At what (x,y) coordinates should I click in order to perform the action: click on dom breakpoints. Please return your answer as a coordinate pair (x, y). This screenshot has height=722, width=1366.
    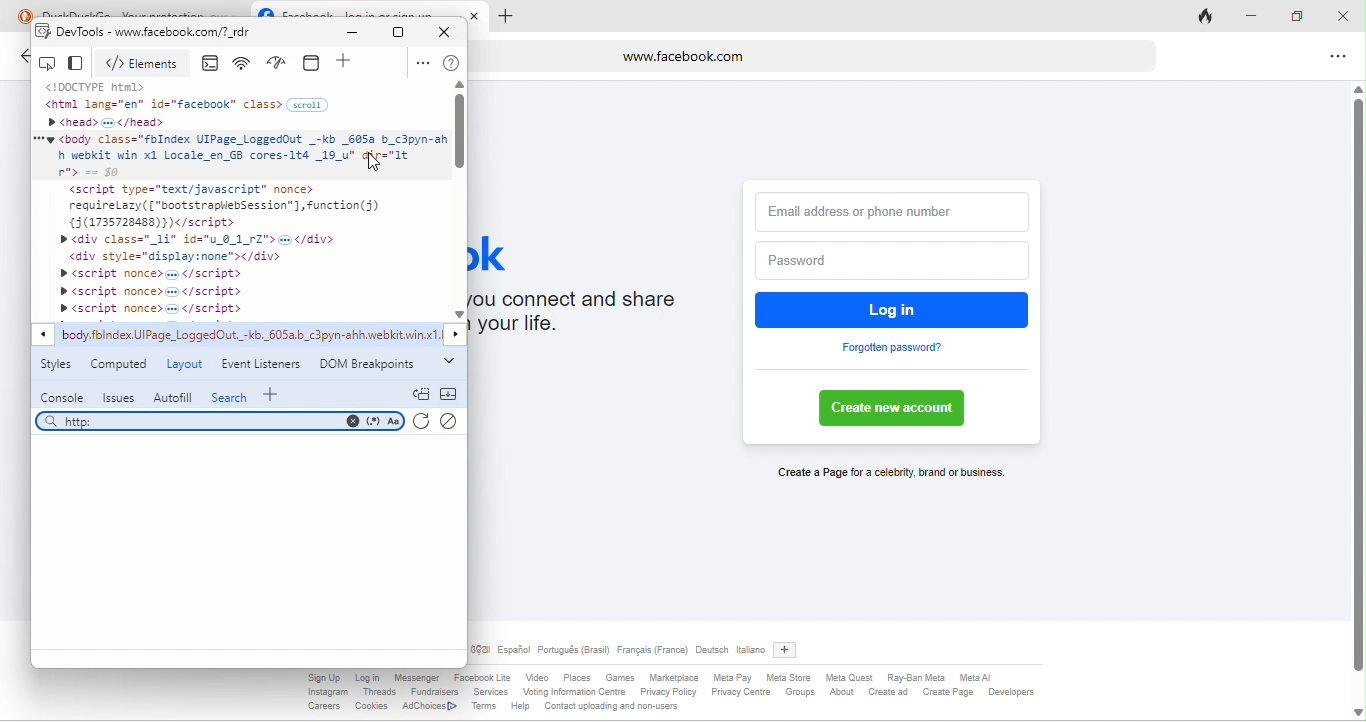
    Looking at the image, I should click on (372, 365).